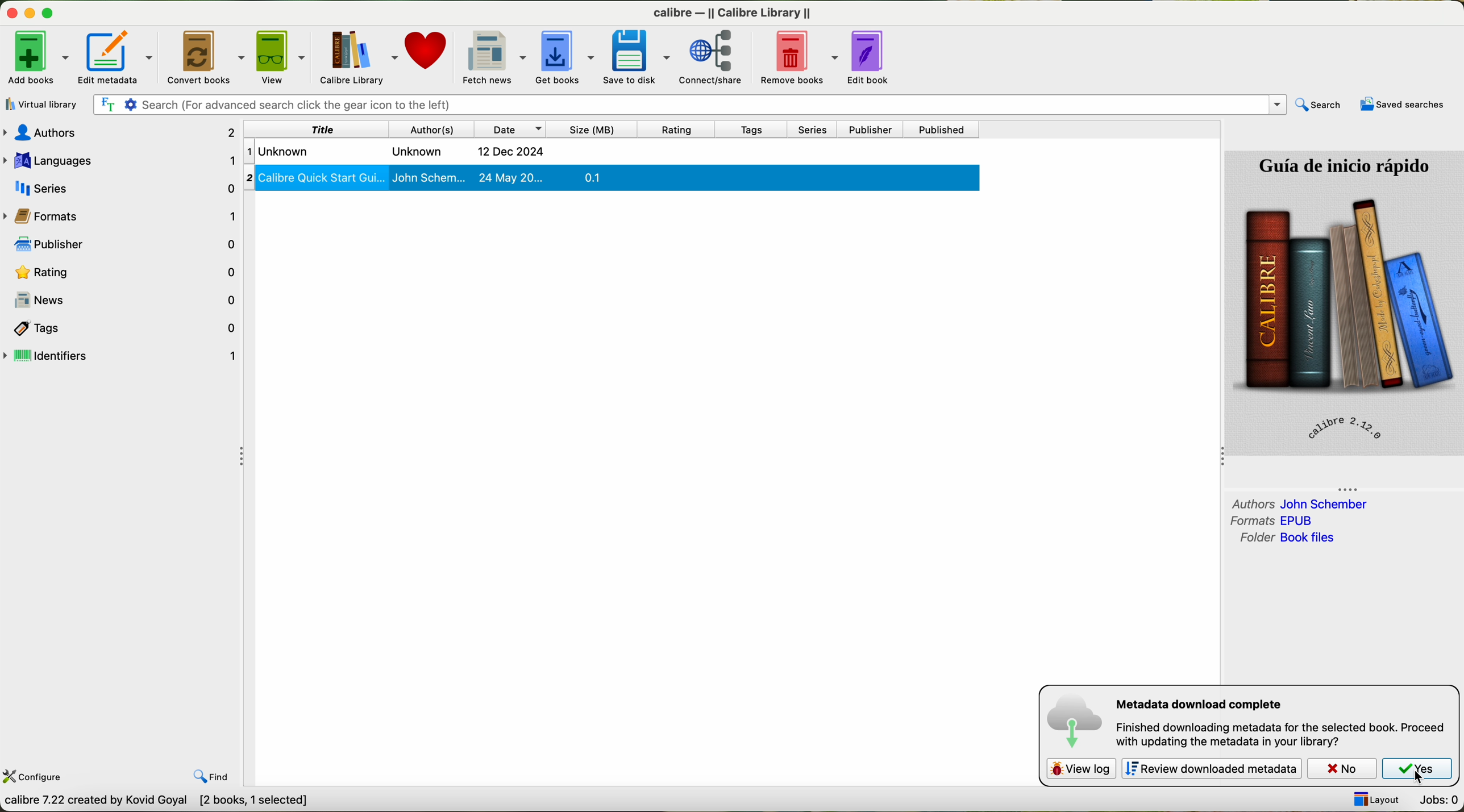 The image size is (1464, 812). I want to click on Rating, so click(128, 274).